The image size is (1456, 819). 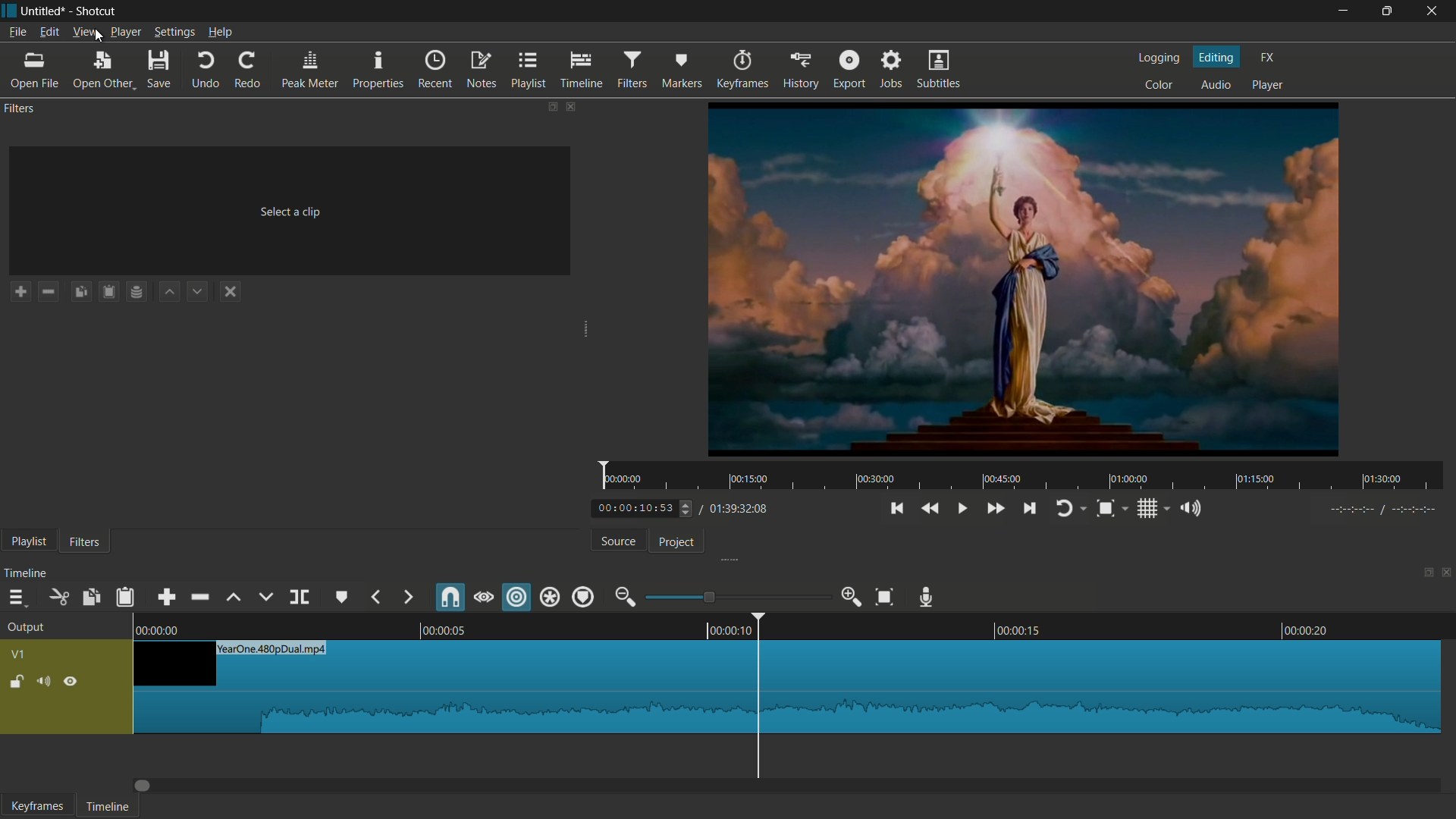 I want to click on Timeline, so click(x=787, y=626).